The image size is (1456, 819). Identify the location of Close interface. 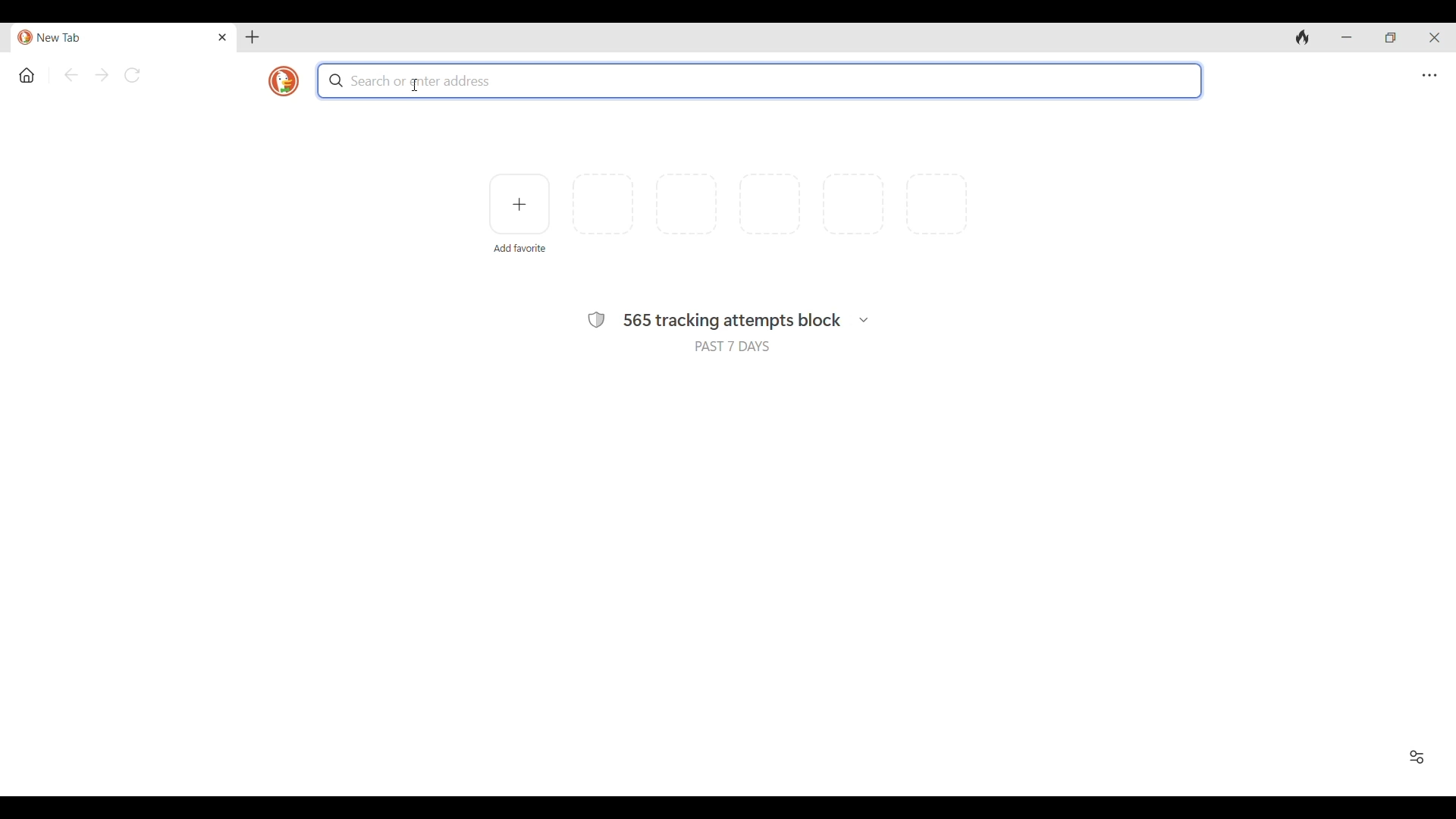
(1434, 37).